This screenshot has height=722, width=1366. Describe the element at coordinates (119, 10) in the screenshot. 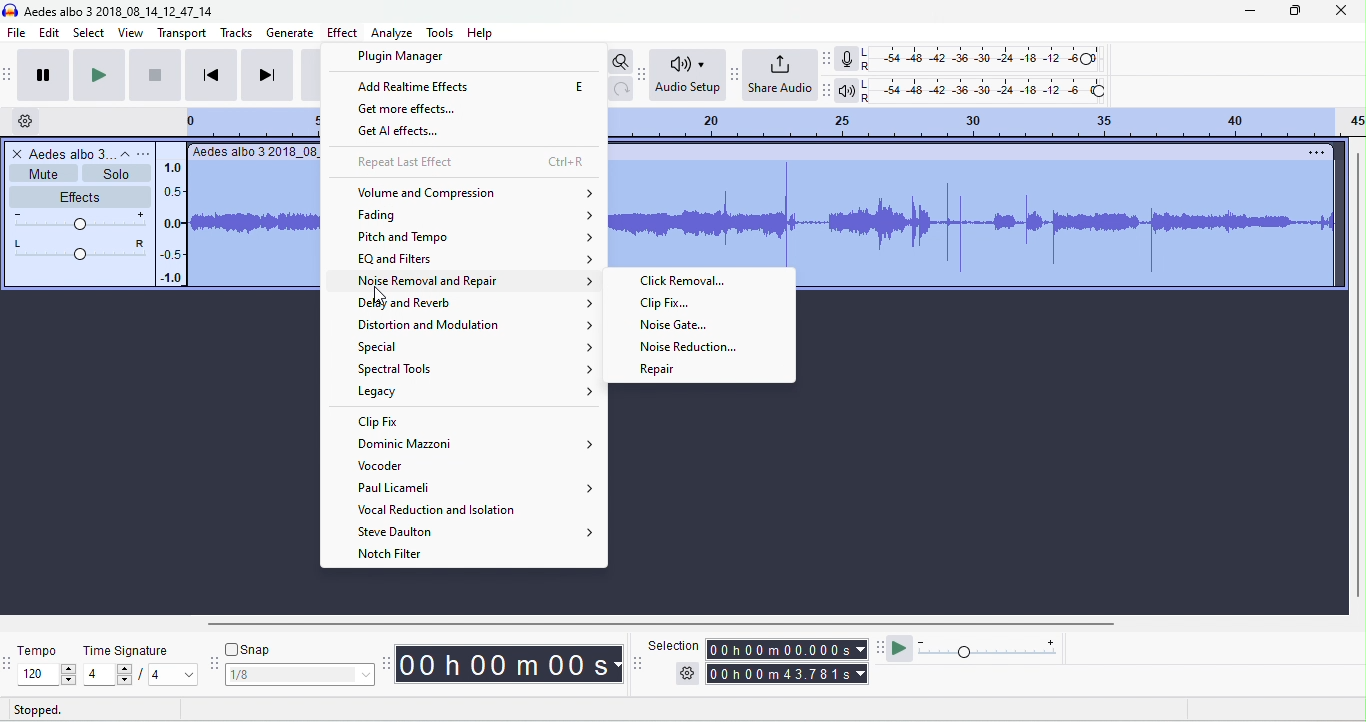

I see `title` at that location.